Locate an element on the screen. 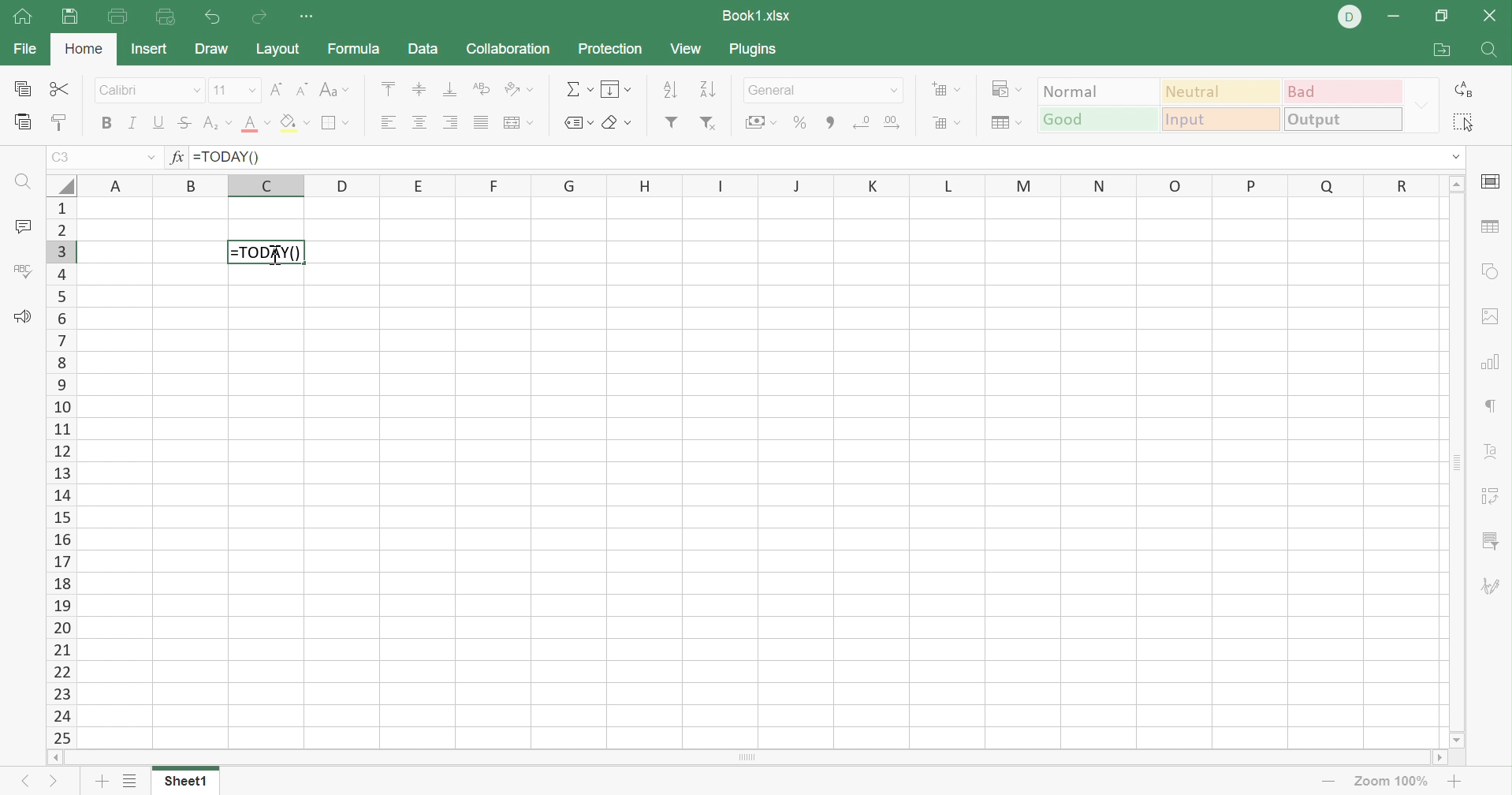 This screenshot has width=1512, height=795. Font color is located at coordinates (255, 125).